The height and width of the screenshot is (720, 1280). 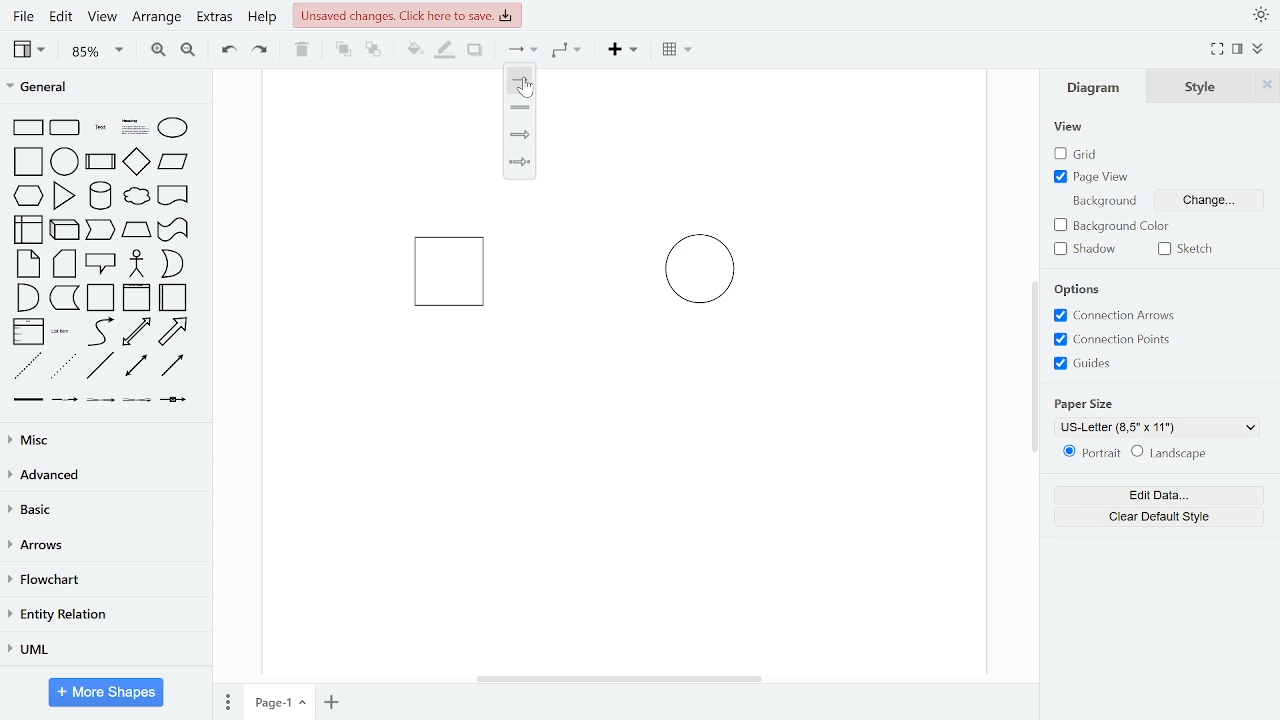 What do you see at coordinates (30, 231) in the screenshot?
I see `internal storage` at bounding box center [30, 231].